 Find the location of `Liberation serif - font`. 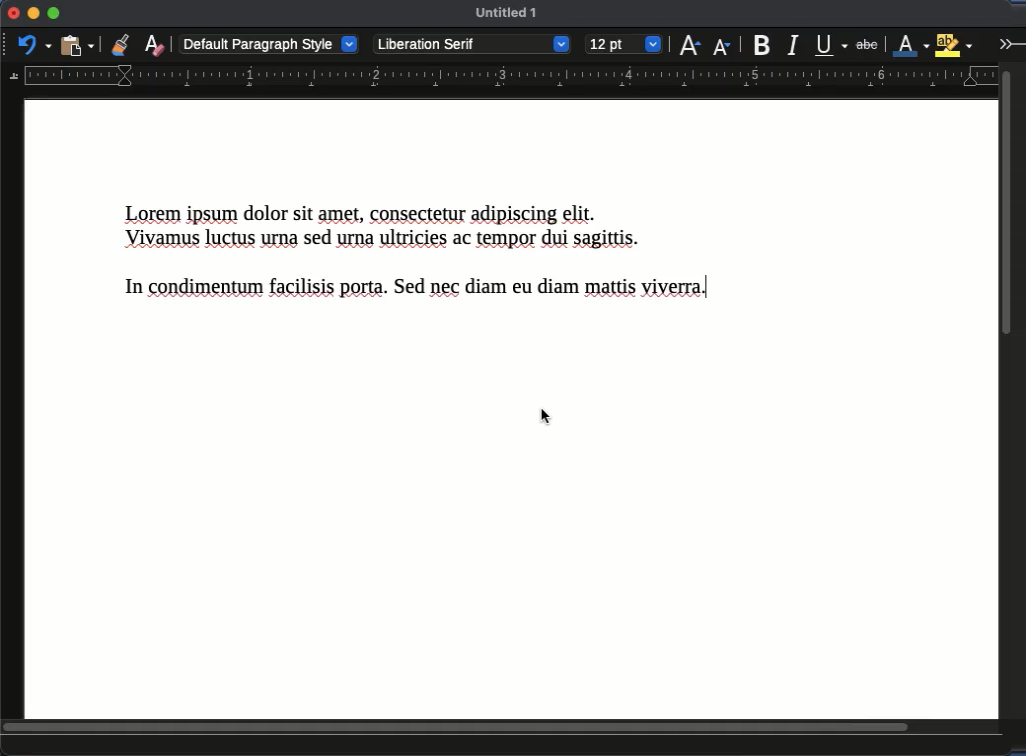

Liberation serif - font is located at coordinates (473, 44).